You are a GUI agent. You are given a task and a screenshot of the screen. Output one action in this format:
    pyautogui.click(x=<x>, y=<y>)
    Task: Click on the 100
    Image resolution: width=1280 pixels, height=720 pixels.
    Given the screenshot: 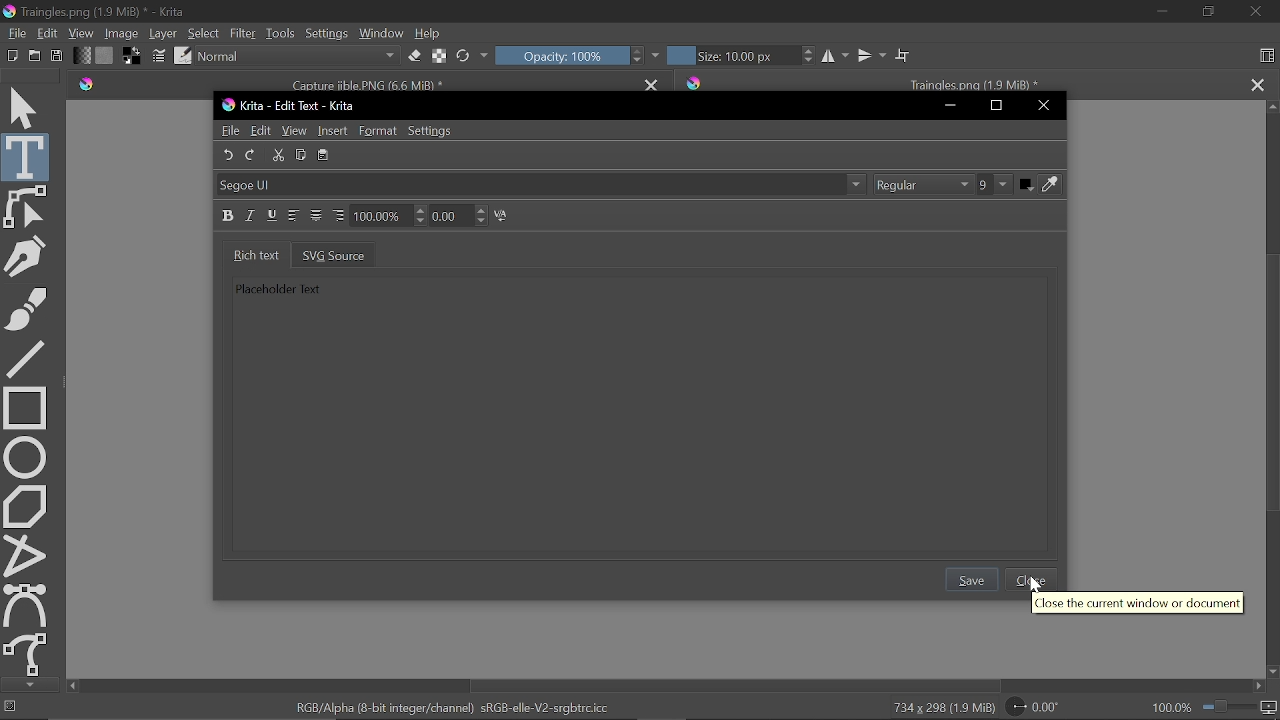 What is the action you would take?
    pyautogui.click(x=1170, y=710)
    